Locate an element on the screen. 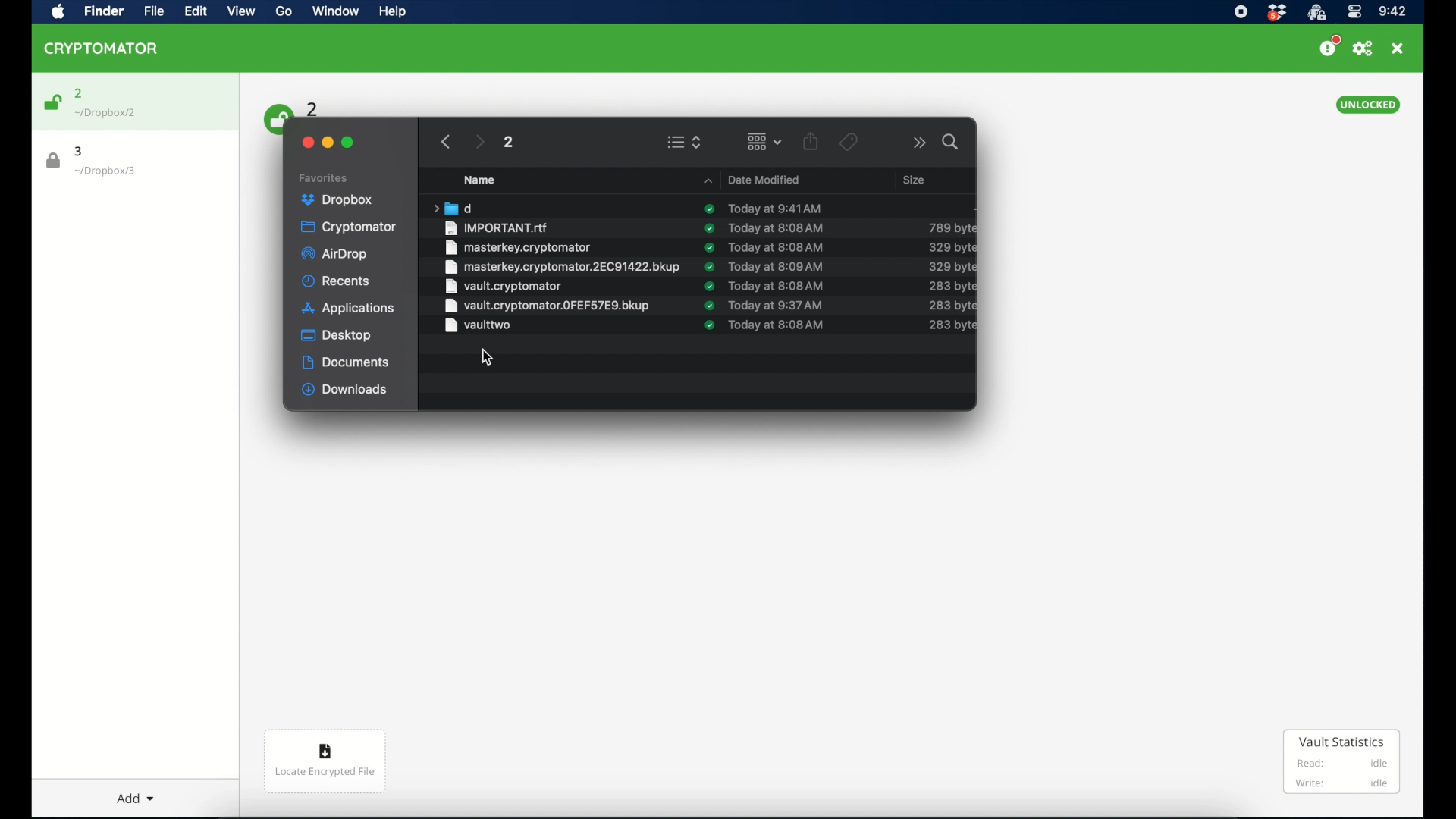 The image size is (1456, 819). unlock  icon is located at coordinates (52, 102).